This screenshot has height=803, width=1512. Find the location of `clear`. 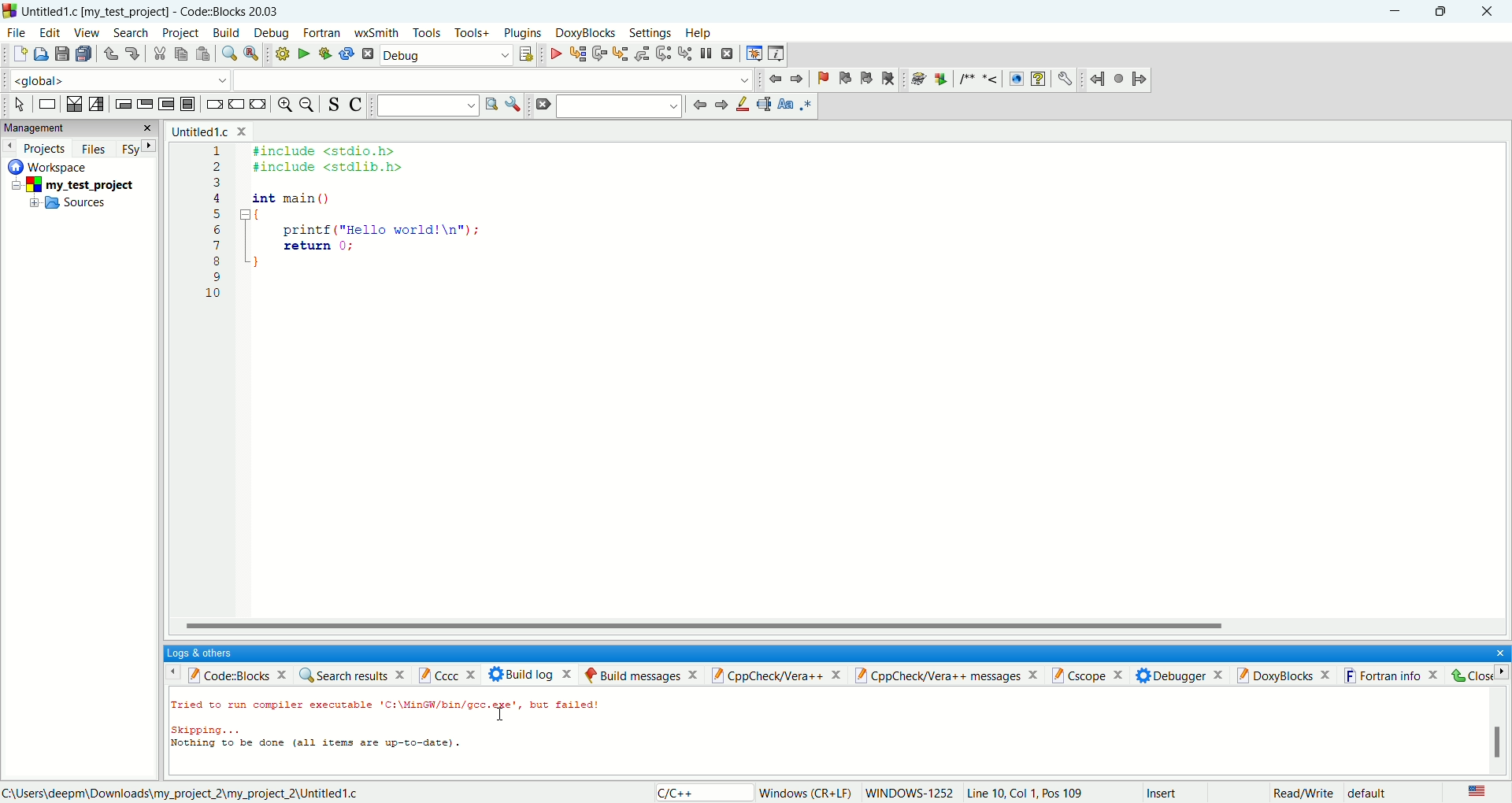

clear is located at coordinates (542, 105).